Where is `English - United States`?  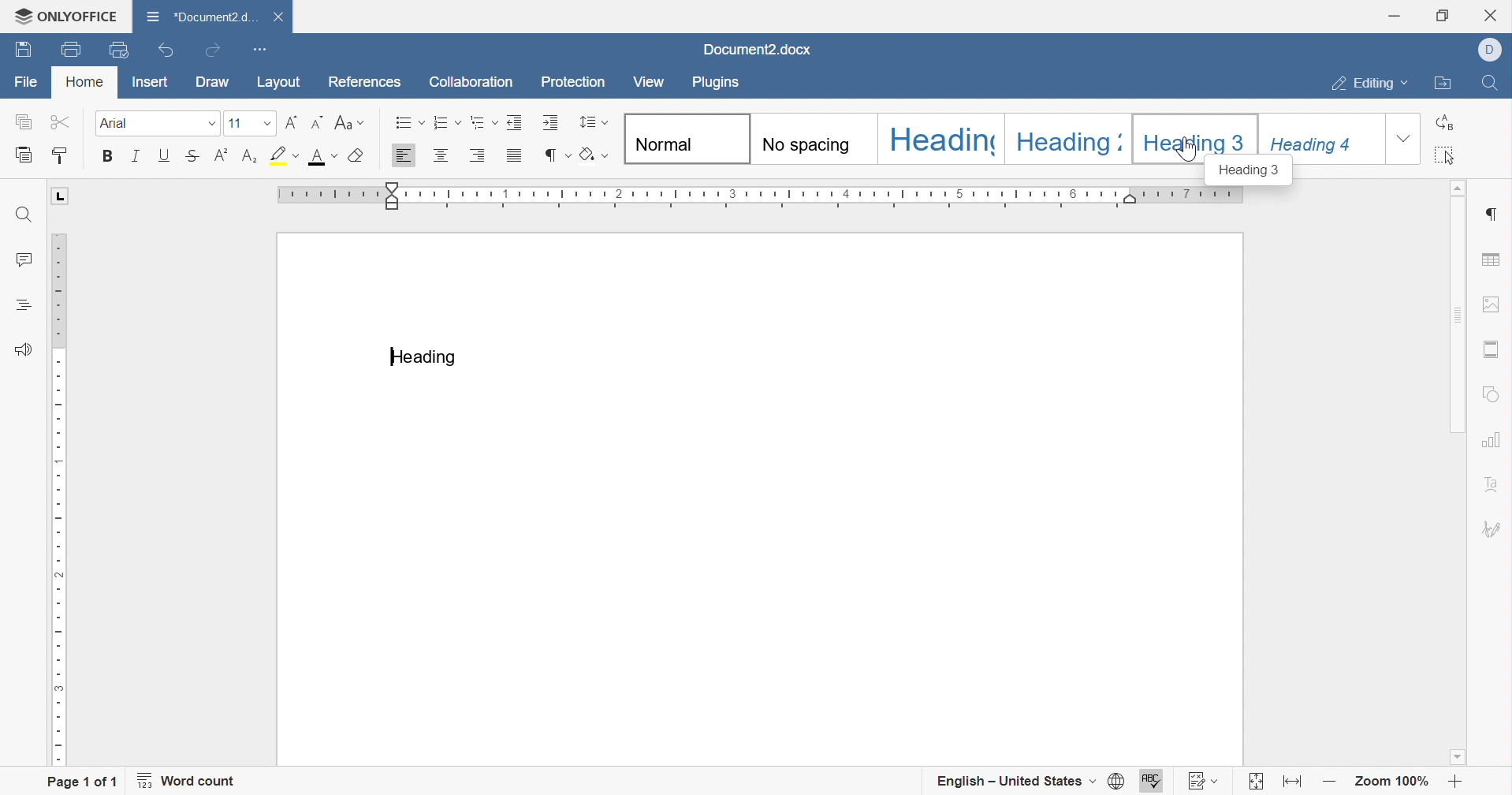
English - United States is located at coordinates (1016, 780).